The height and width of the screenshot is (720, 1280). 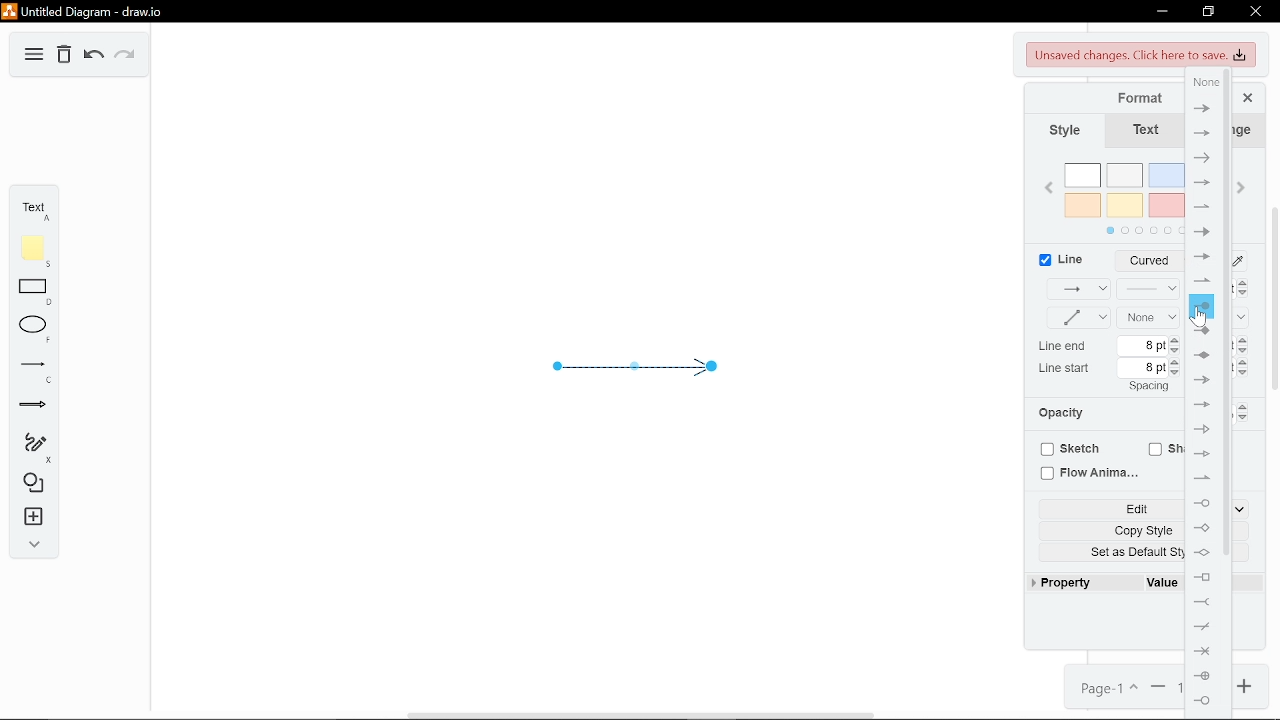 What do you see at coordinates (1160, 11) in the screenshot?
I see `Minimize` at bounding box center [1160, 11].